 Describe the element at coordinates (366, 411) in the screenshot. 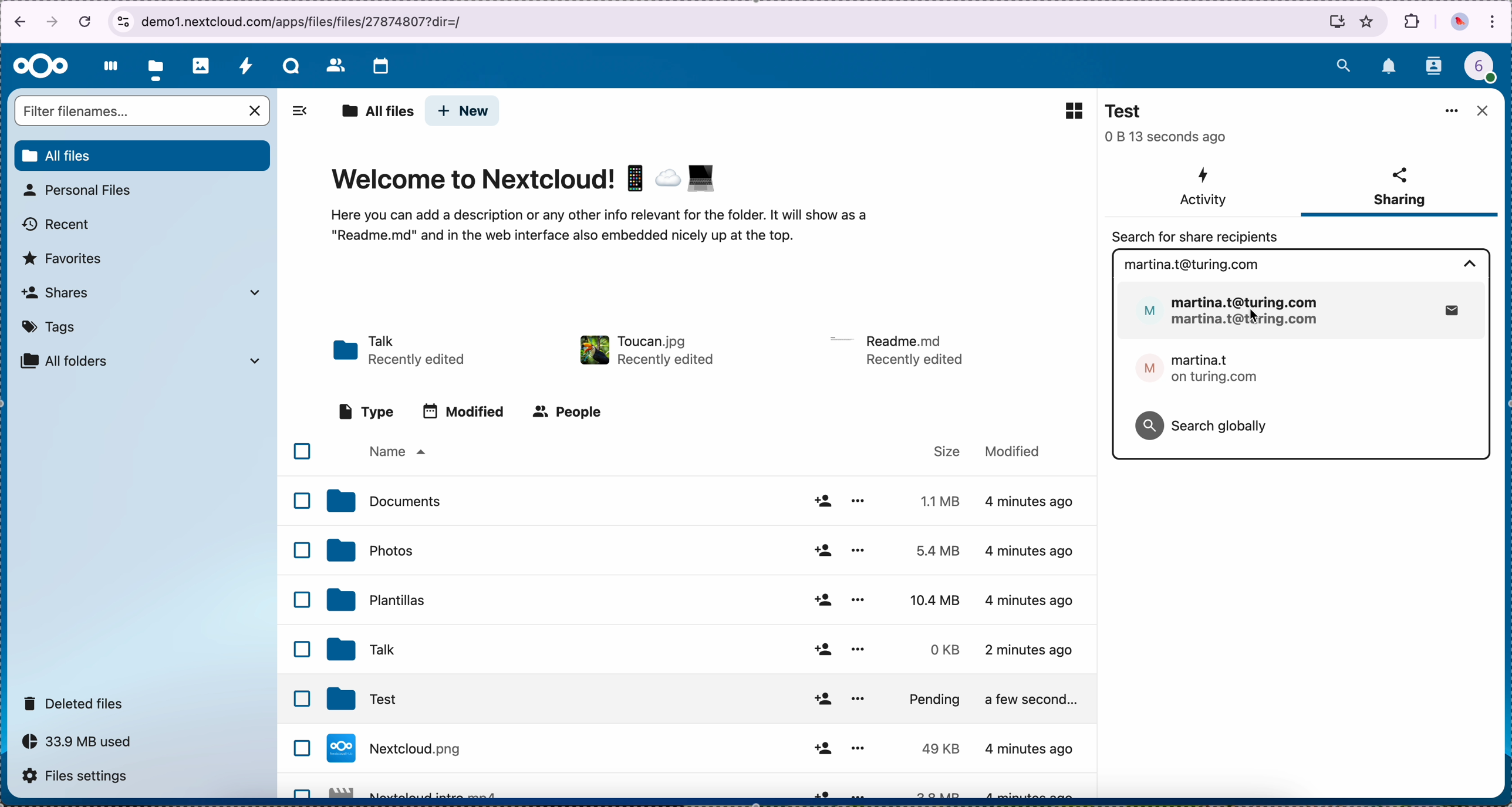

I see `type` at that location.